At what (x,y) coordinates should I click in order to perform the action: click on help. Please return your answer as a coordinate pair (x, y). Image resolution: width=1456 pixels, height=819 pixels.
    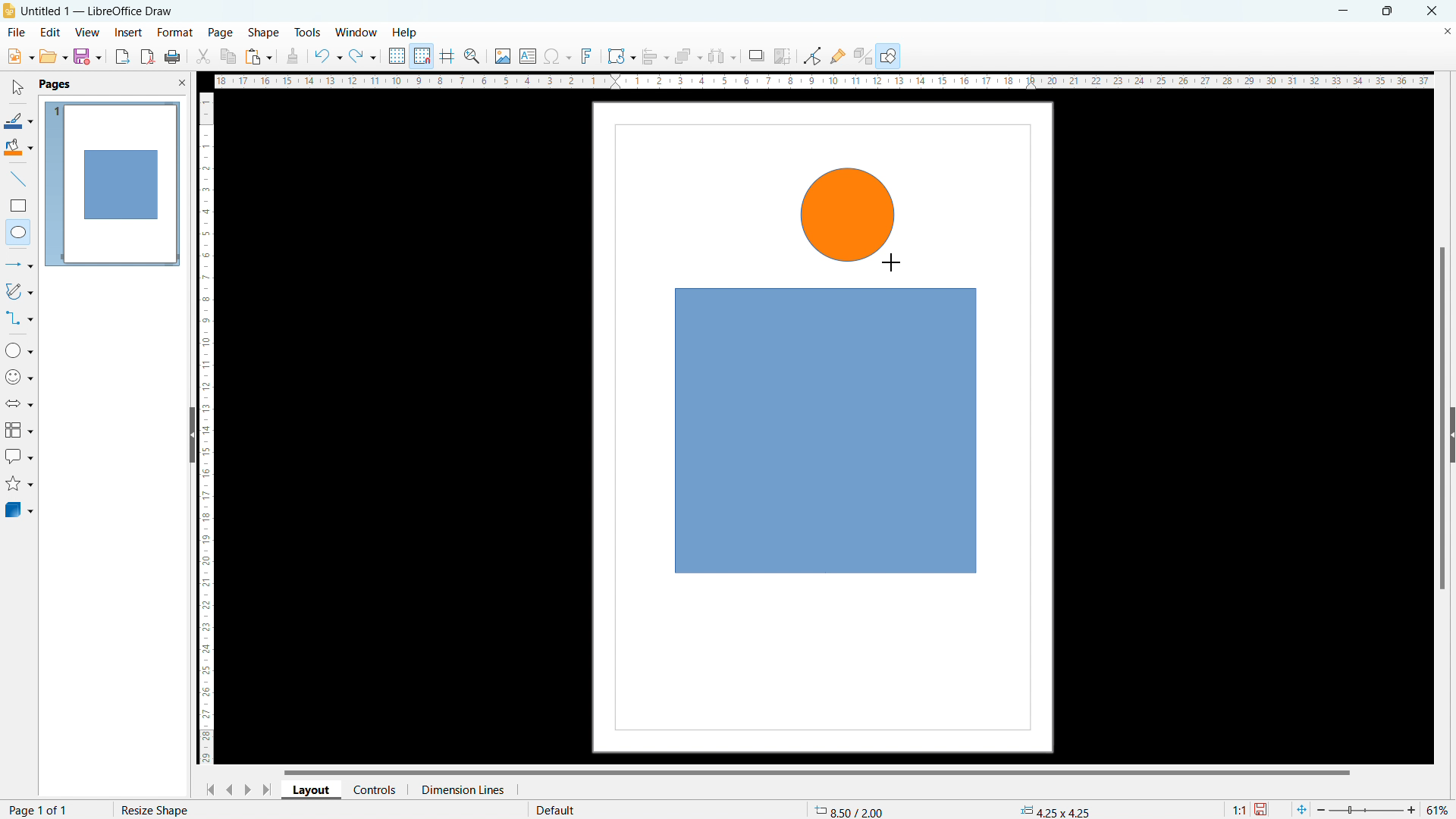
    Looking at the image, I should click on (406, 33).